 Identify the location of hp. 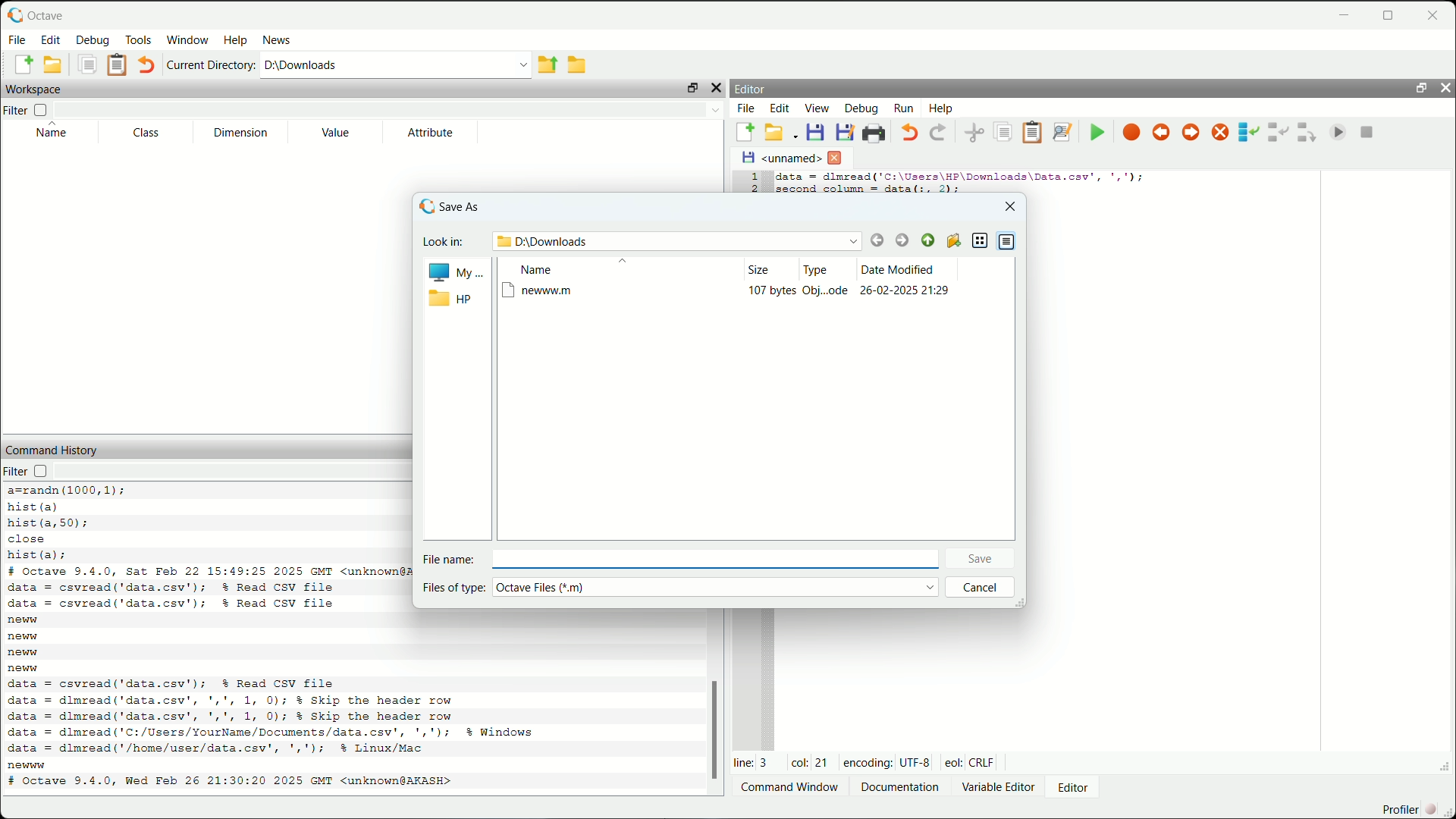
(450, 301).